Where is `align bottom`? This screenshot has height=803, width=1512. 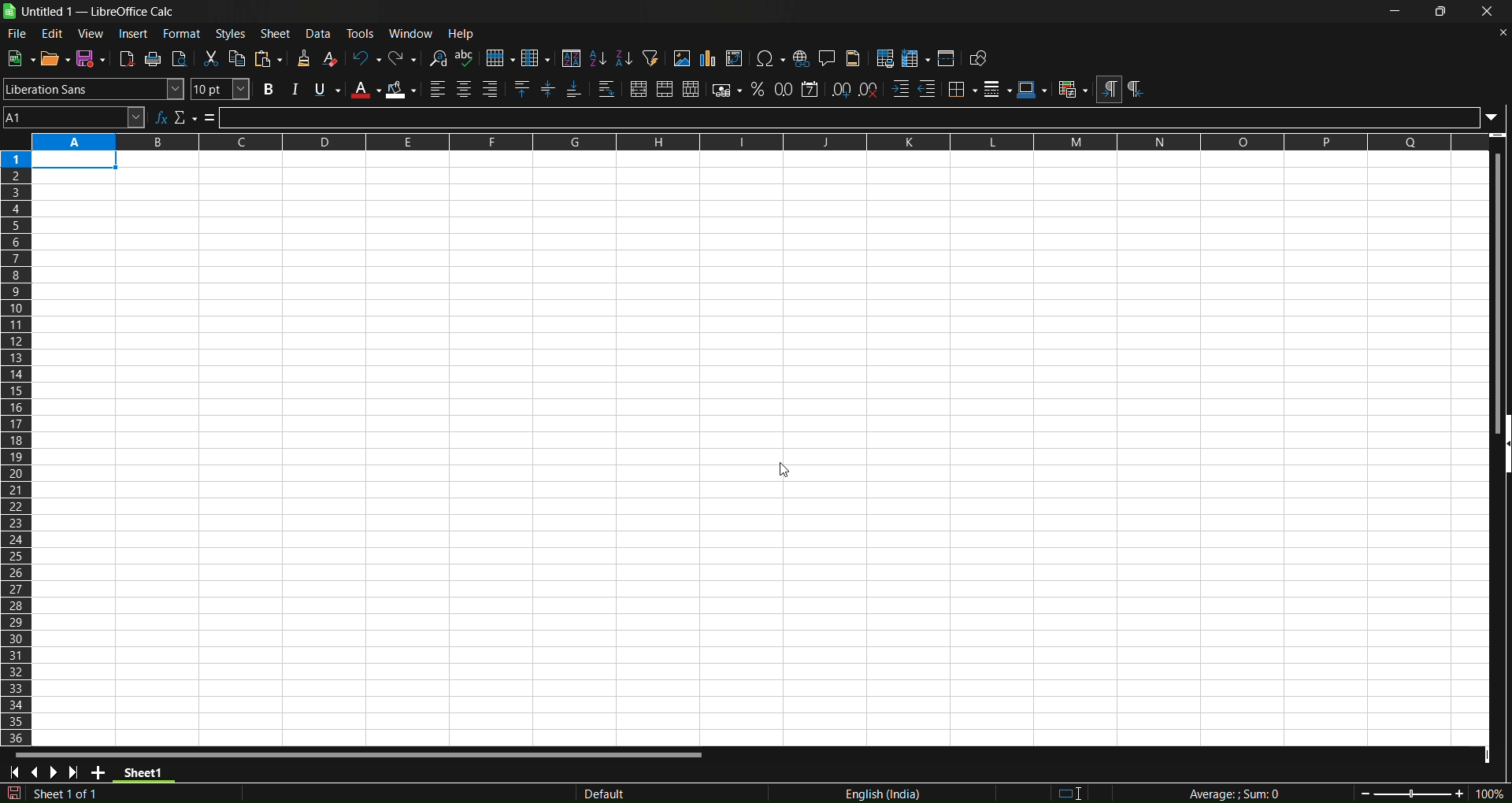
align bottom is located at coordinates (574, 91).